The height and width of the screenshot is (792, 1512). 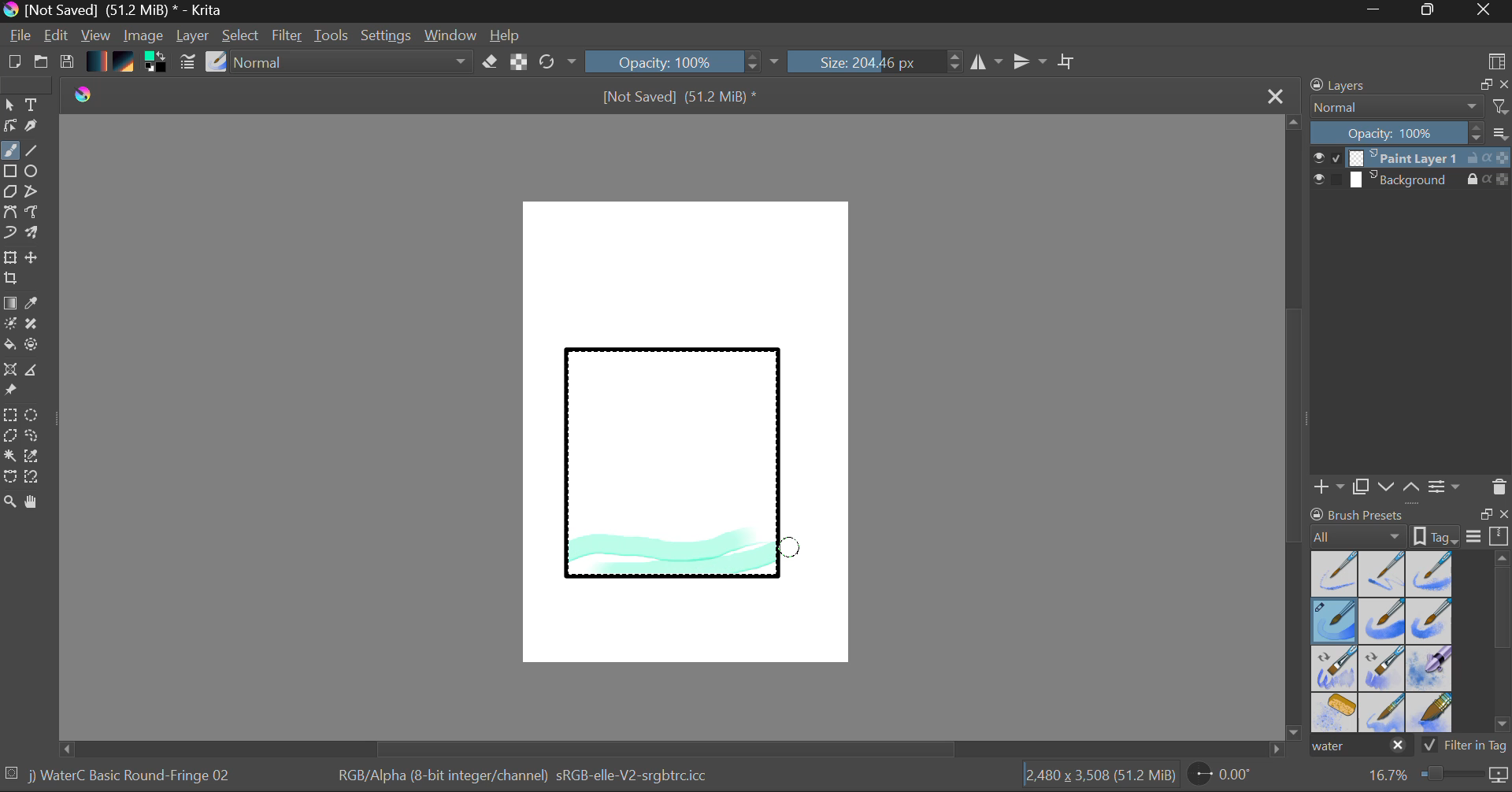 I want to click on Tools, so click(x=332, y=36).